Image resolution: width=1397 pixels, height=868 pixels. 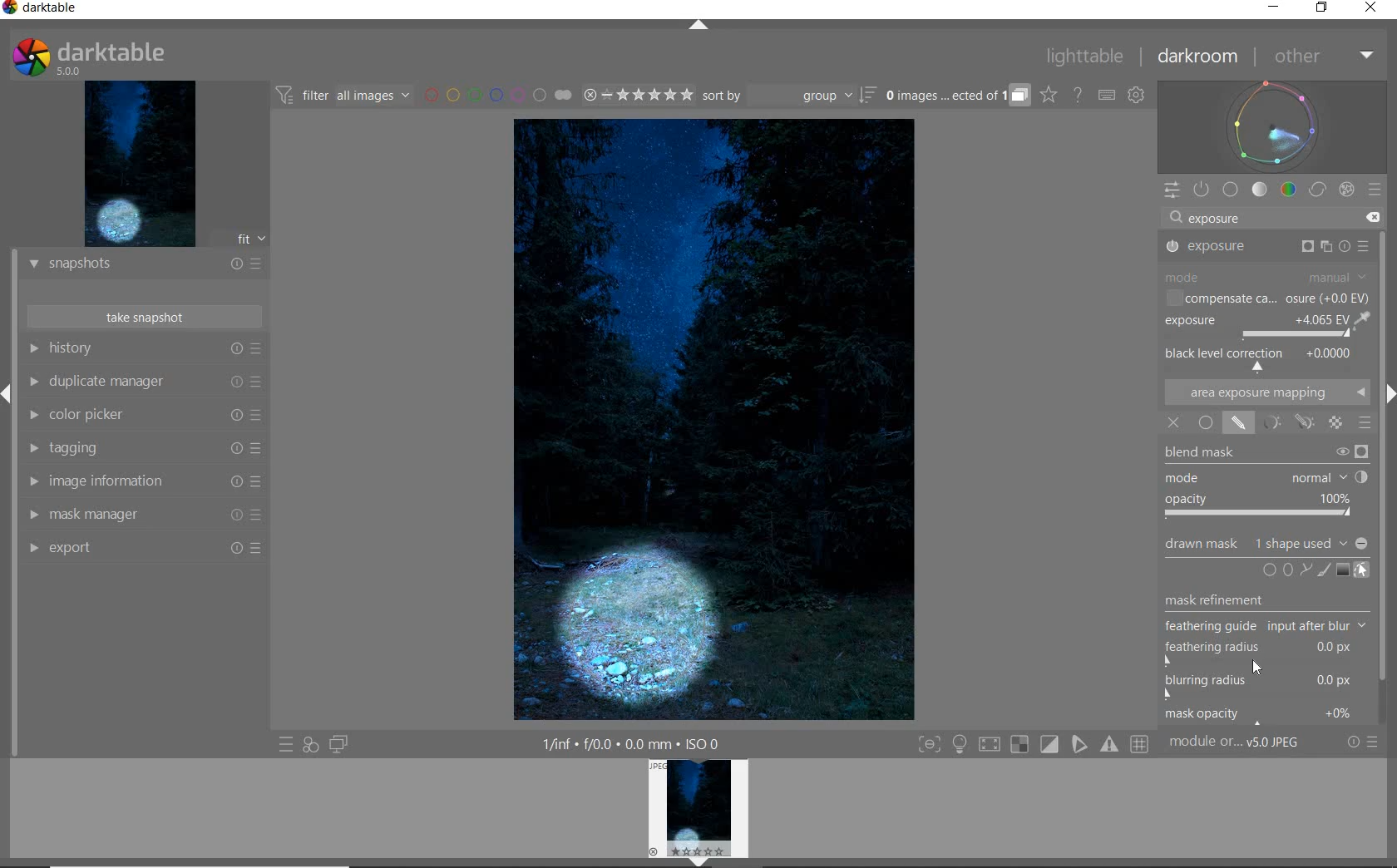 I want to click on exposure, so click(x=1219, y=218).